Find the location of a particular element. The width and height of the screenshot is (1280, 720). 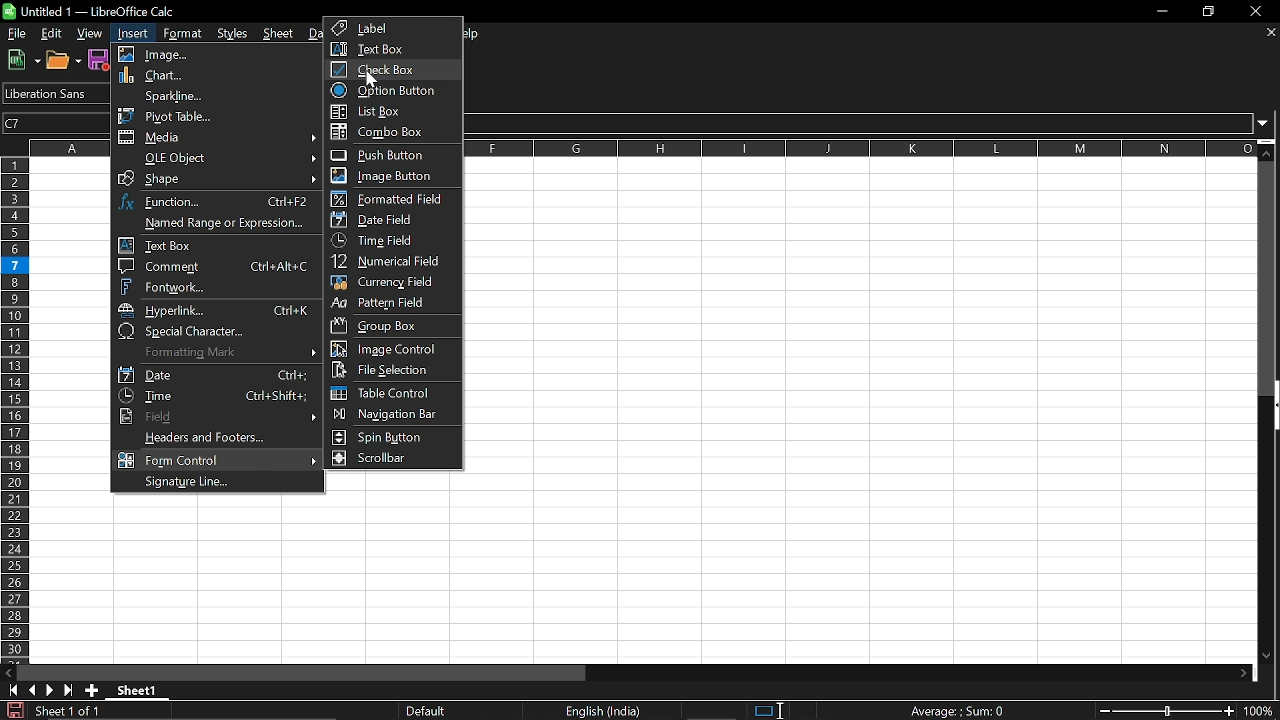

Push button is located at coordinates (389, 155).